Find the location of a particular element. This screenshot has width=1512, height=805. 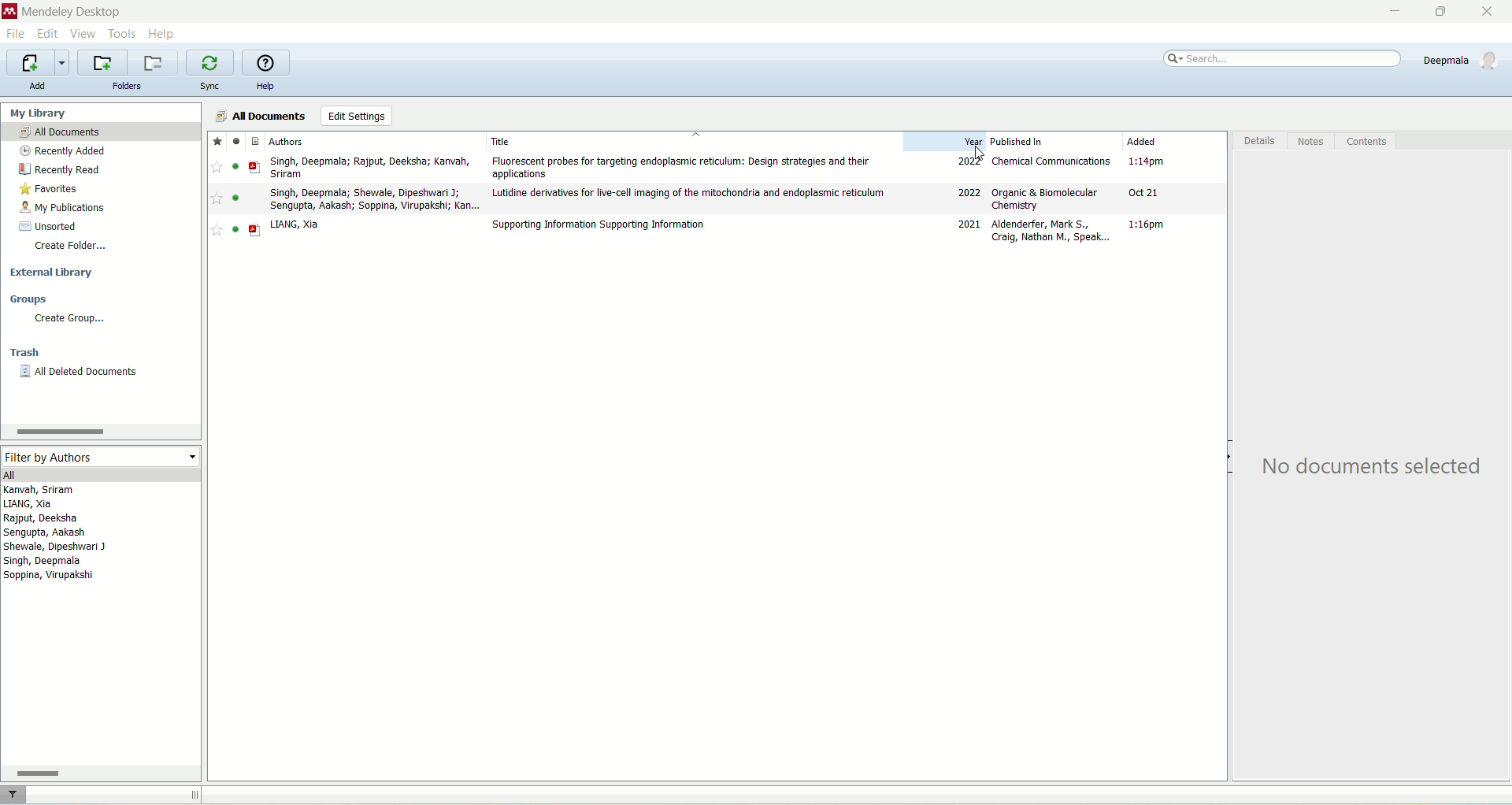

maximize is located at coordinates (1440, 11).